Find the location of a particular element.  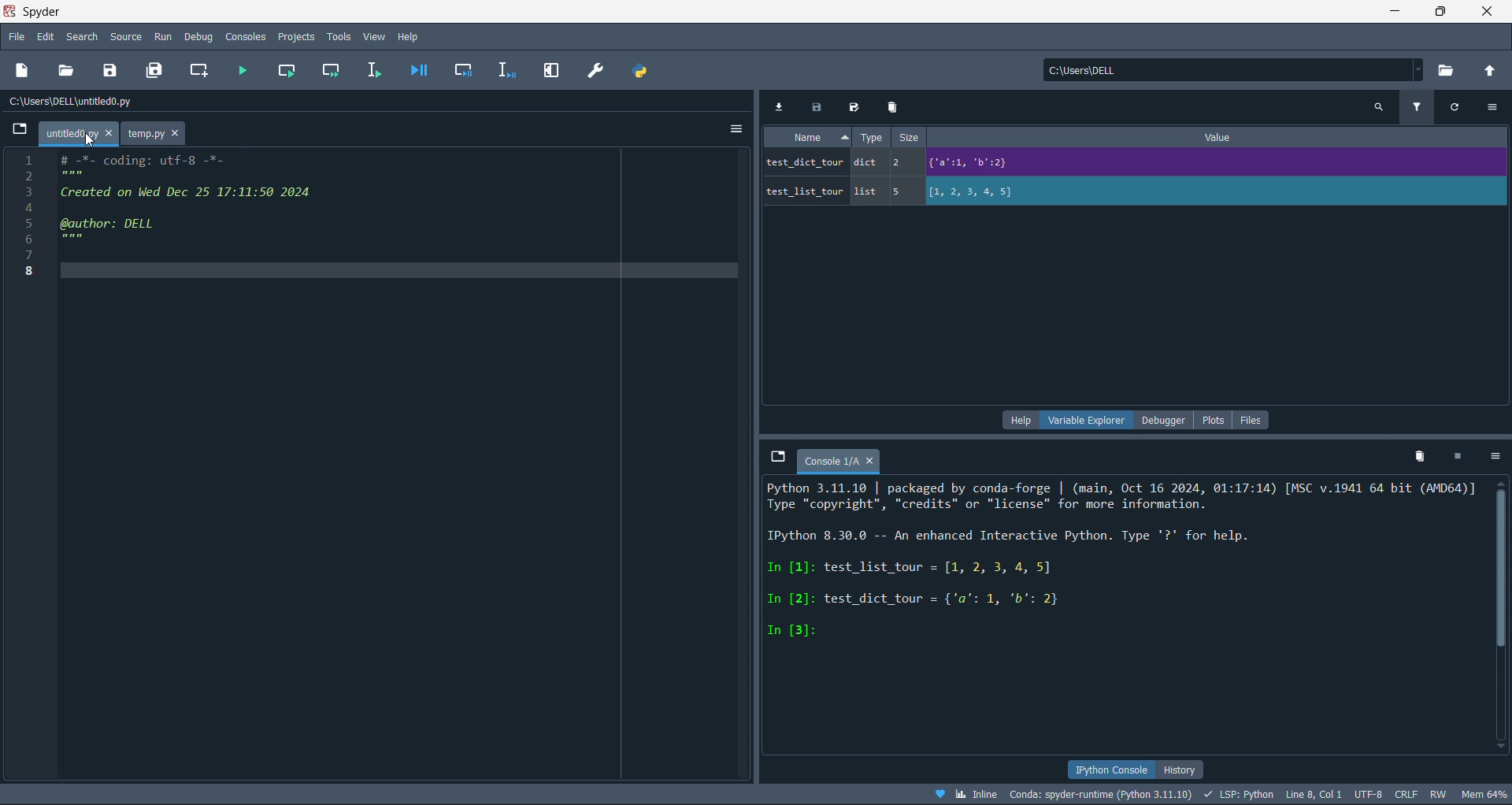

interrupt kernel is located at coordinates (1462, 457).